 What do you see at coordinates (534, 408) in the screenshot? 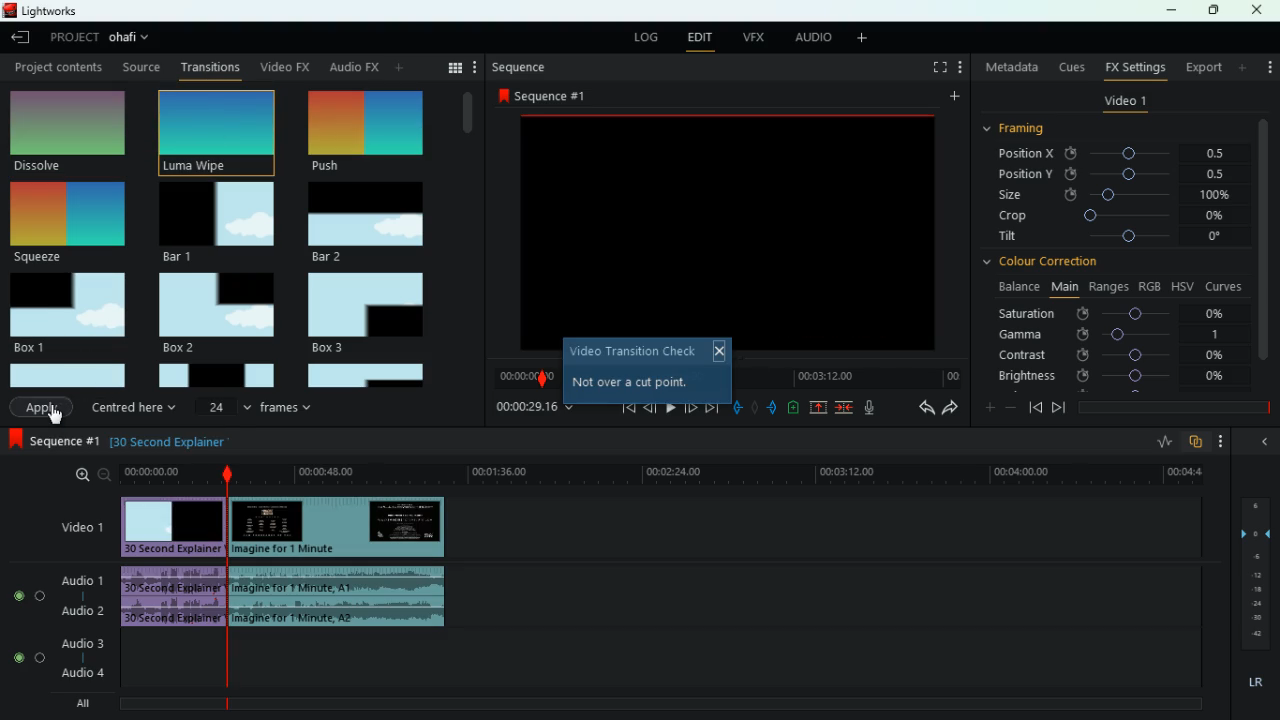
I see `time` at bounding box center [534, 408].